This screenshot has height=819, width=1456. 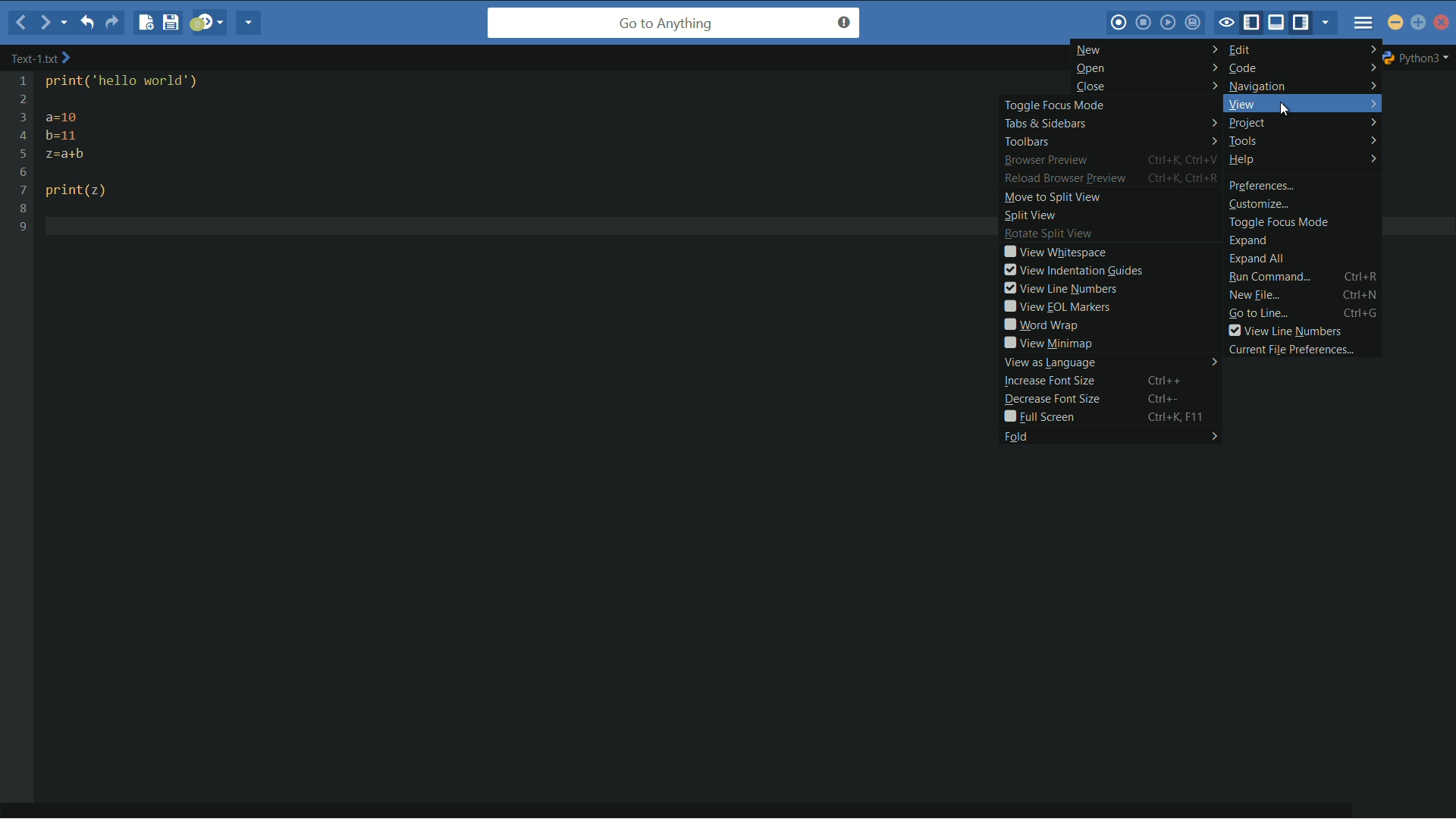 What do you see at coordinates (1109, 438) in the screenshot?
I see `fold` at bounding box center [1109, 438].